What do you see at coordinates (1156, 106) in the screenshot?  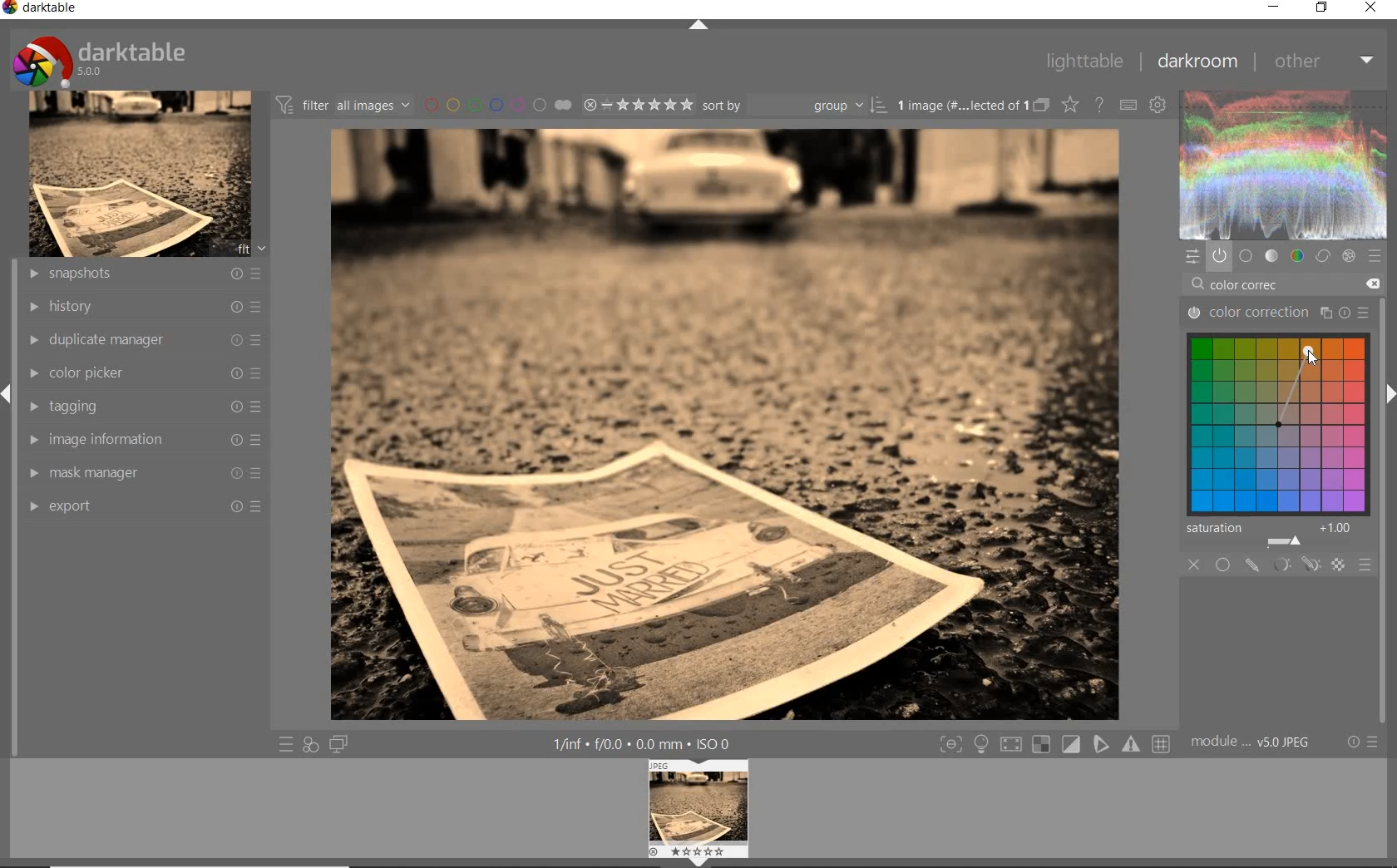 I see `show global preference` at bounding box center [1156, 106].